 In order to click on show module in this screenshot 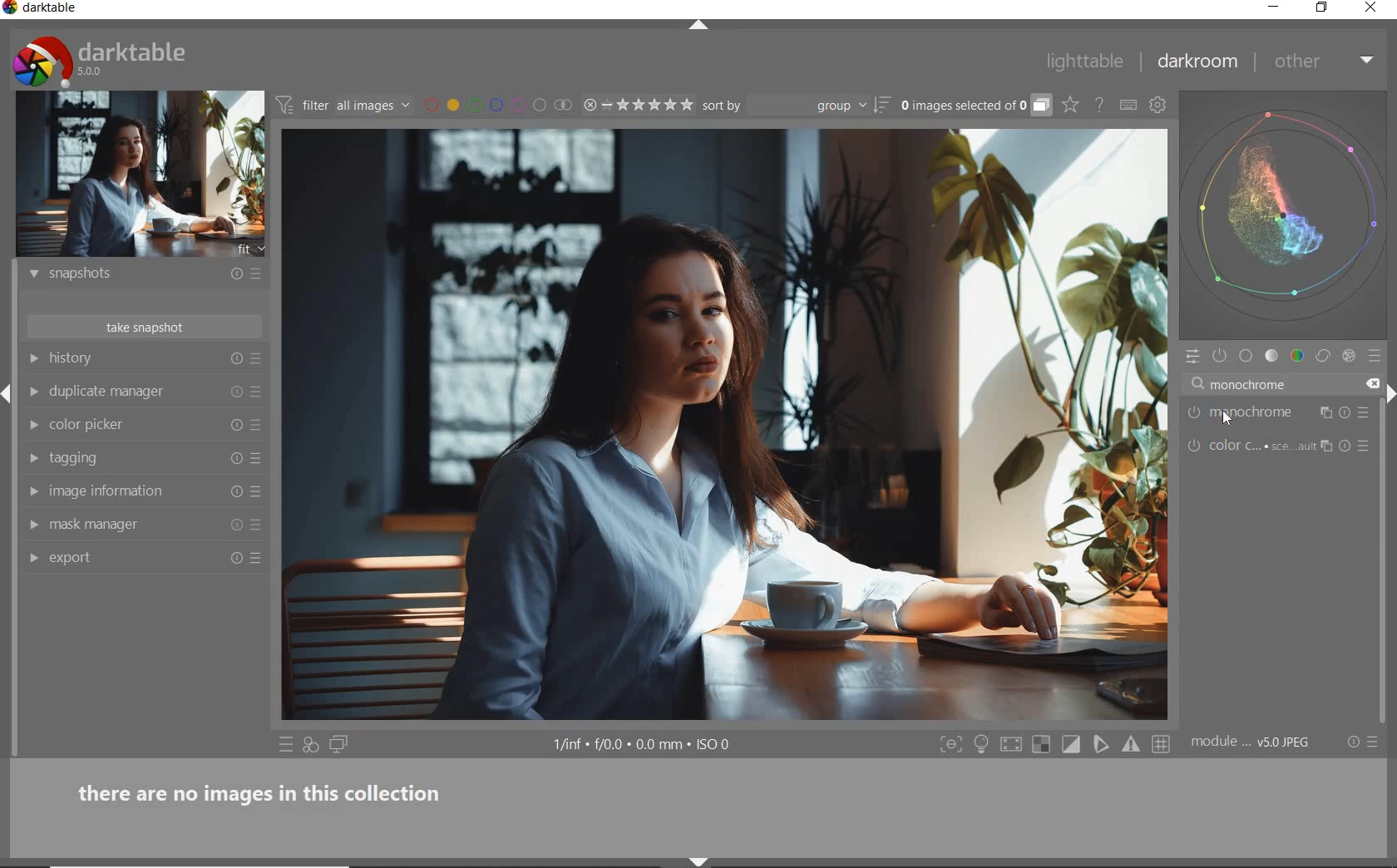, I will do `click(32, 525)`.